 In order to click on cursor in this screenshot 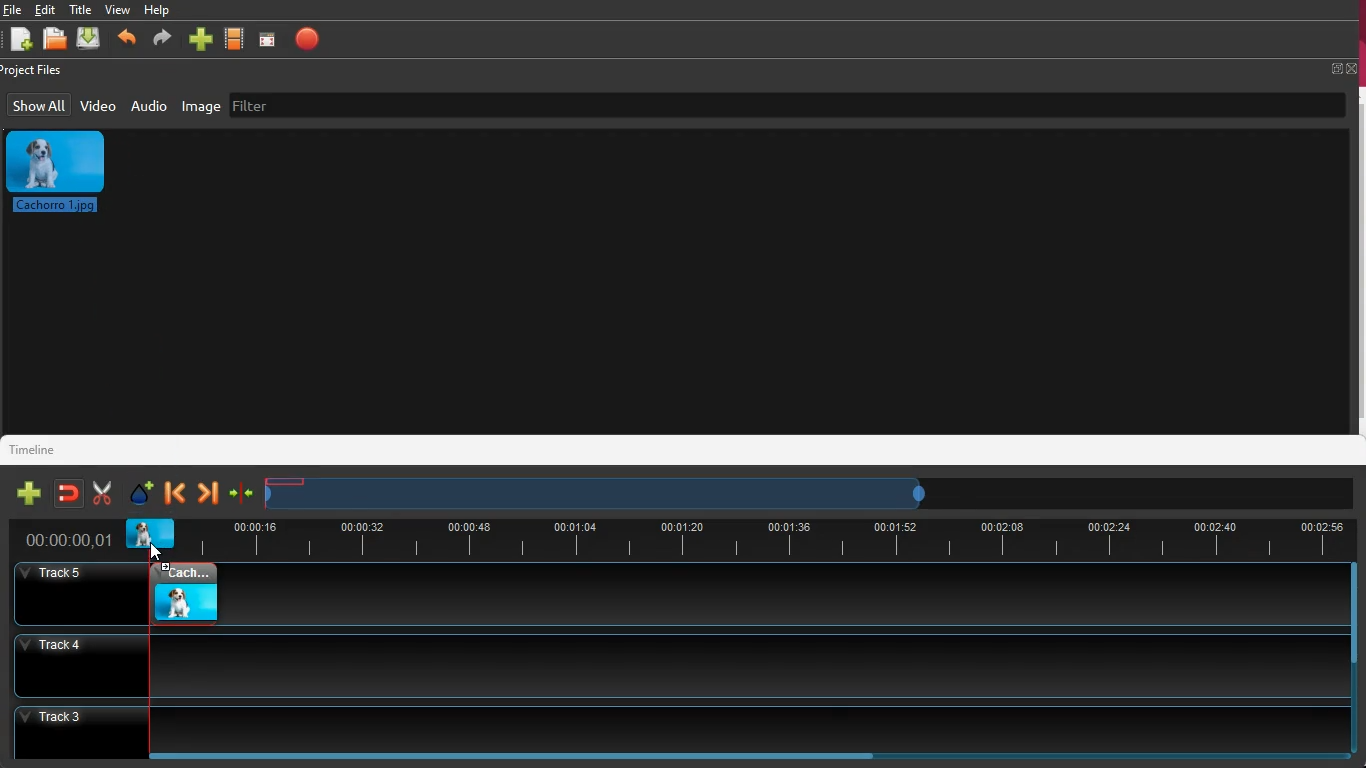, I will do `click(160, 551)`.